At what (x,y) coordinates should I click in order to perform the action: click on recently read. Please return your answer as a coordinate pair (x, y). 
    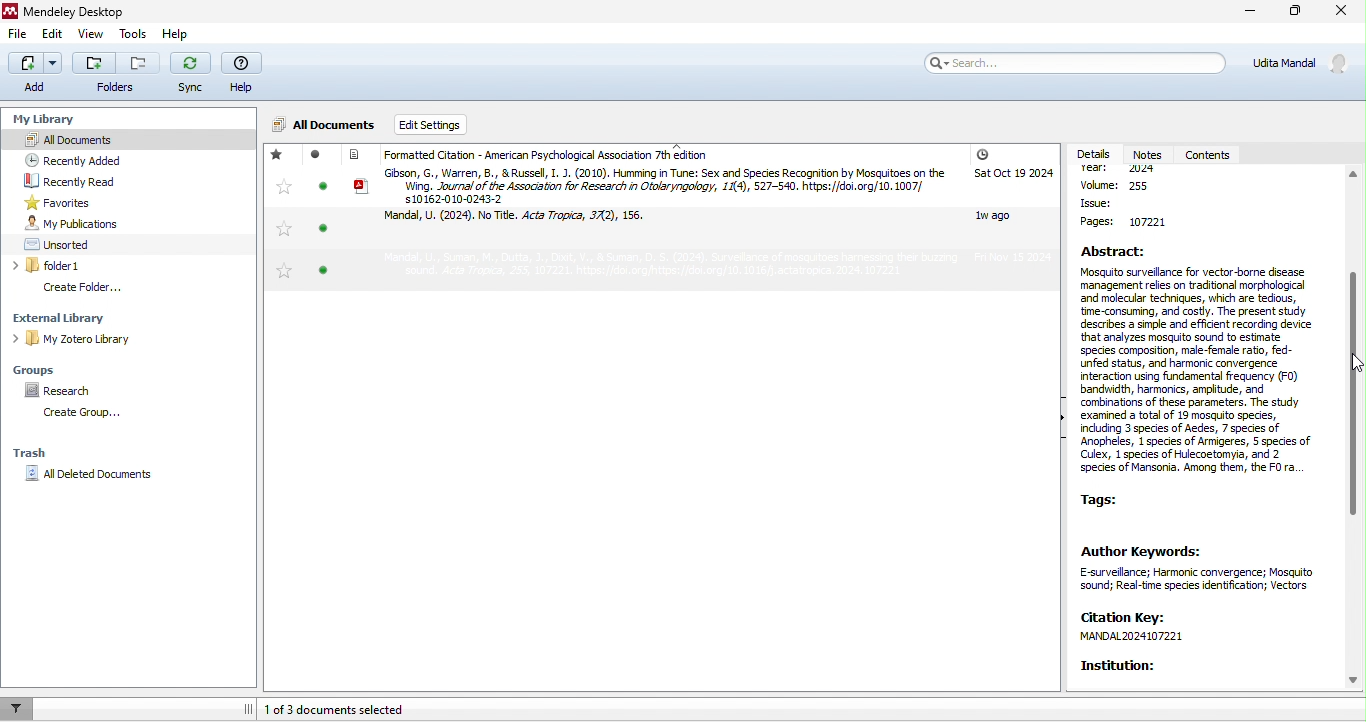
    Looking at the image, I should click on (91, 182).